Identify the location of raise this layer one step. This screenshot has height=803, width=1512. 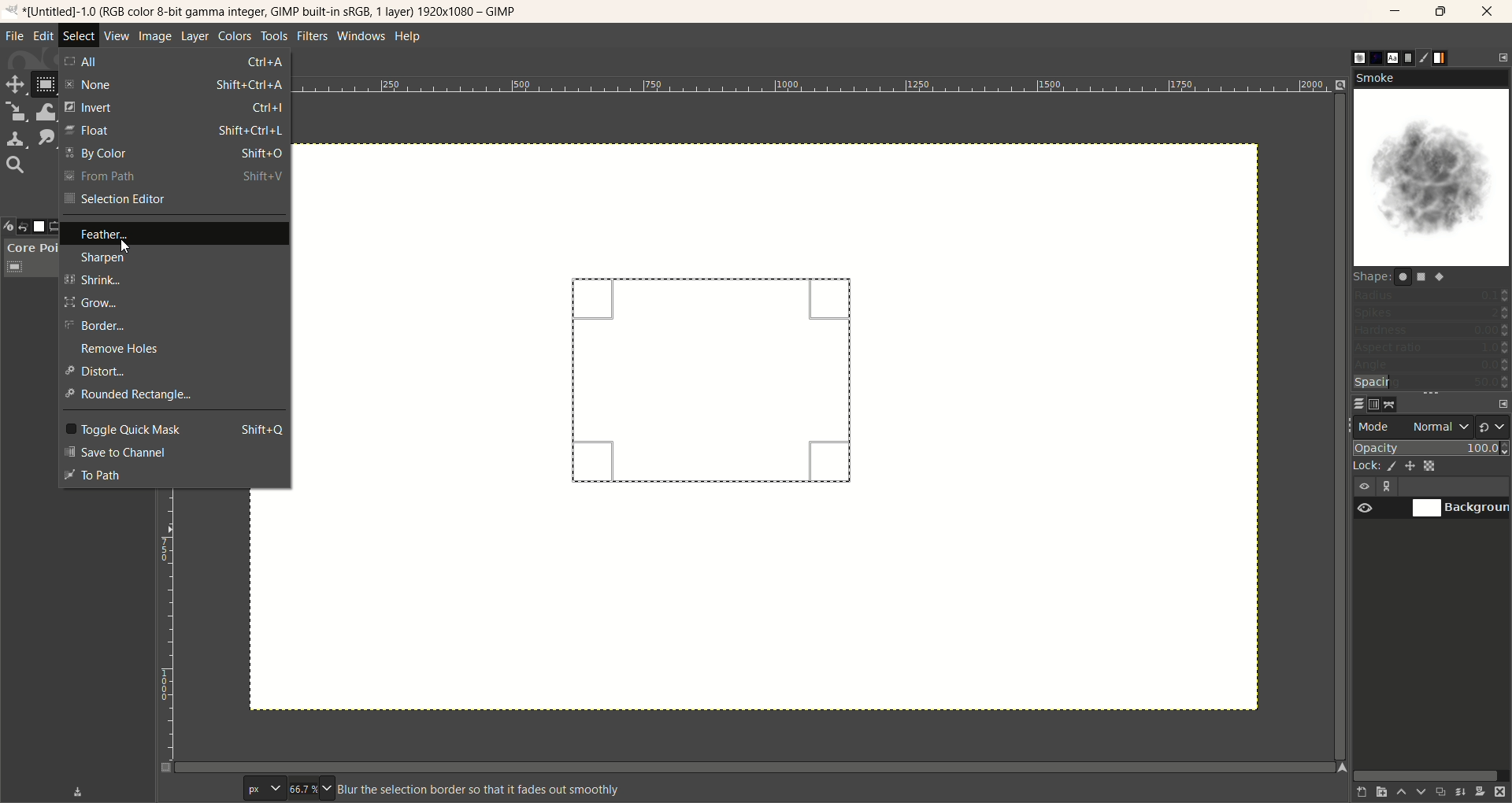
(1402, 793).